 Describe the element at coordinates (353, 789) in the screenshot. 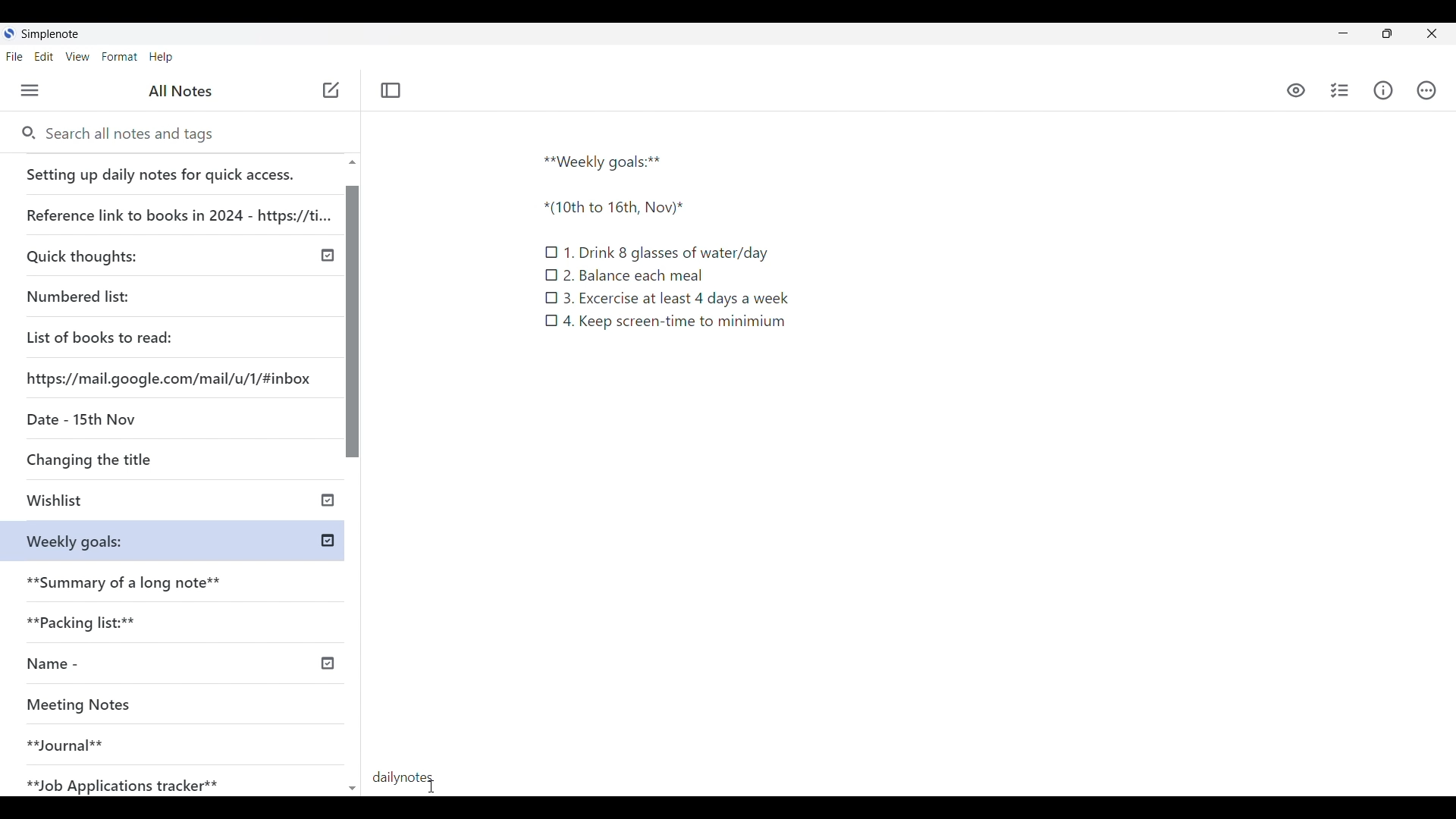

I see `Quick slide to top` at that location.